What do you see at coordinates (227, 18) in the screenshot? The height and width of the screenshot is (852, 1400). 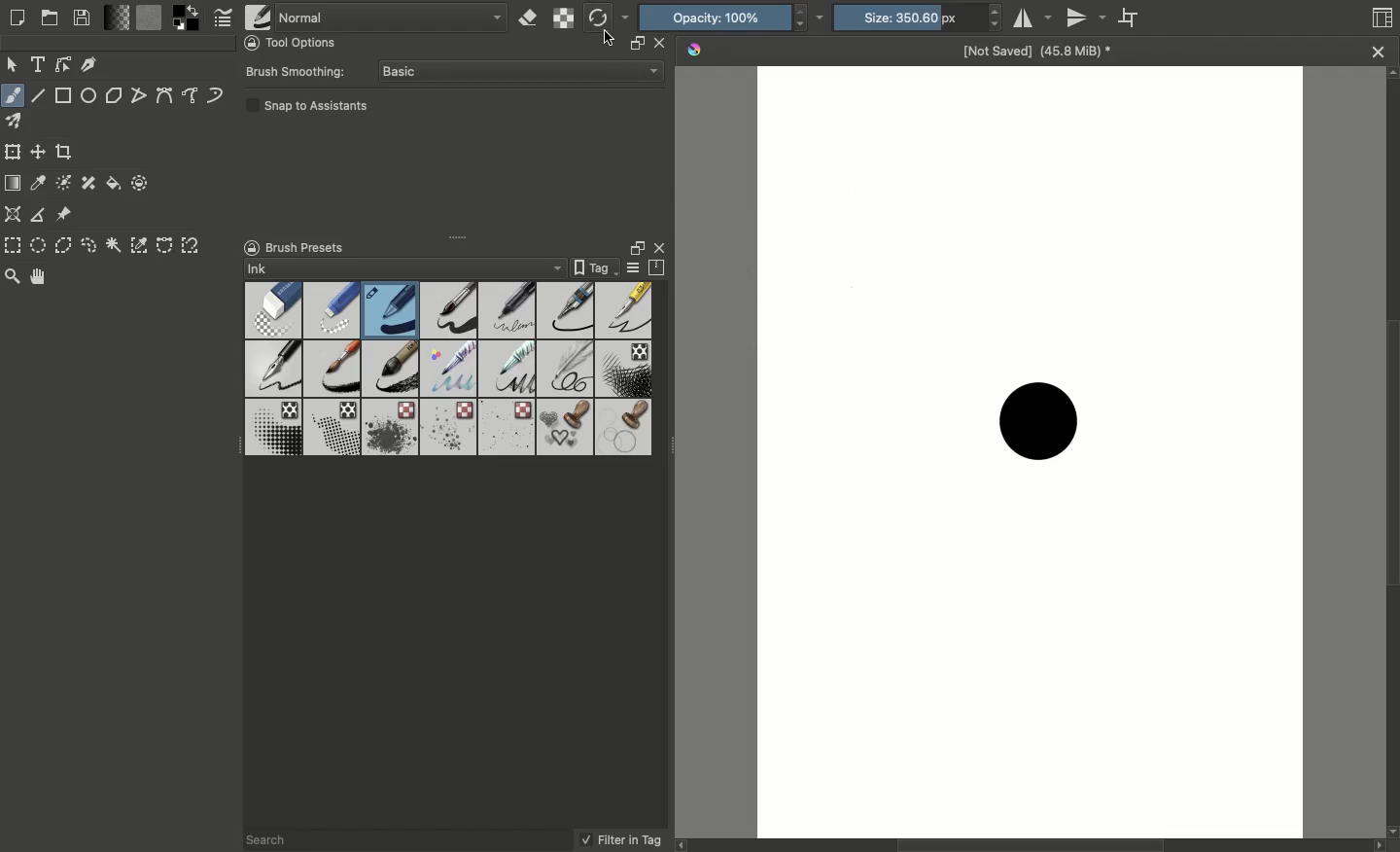 I see `Edit brush settings` at bounding box center [227, 18].